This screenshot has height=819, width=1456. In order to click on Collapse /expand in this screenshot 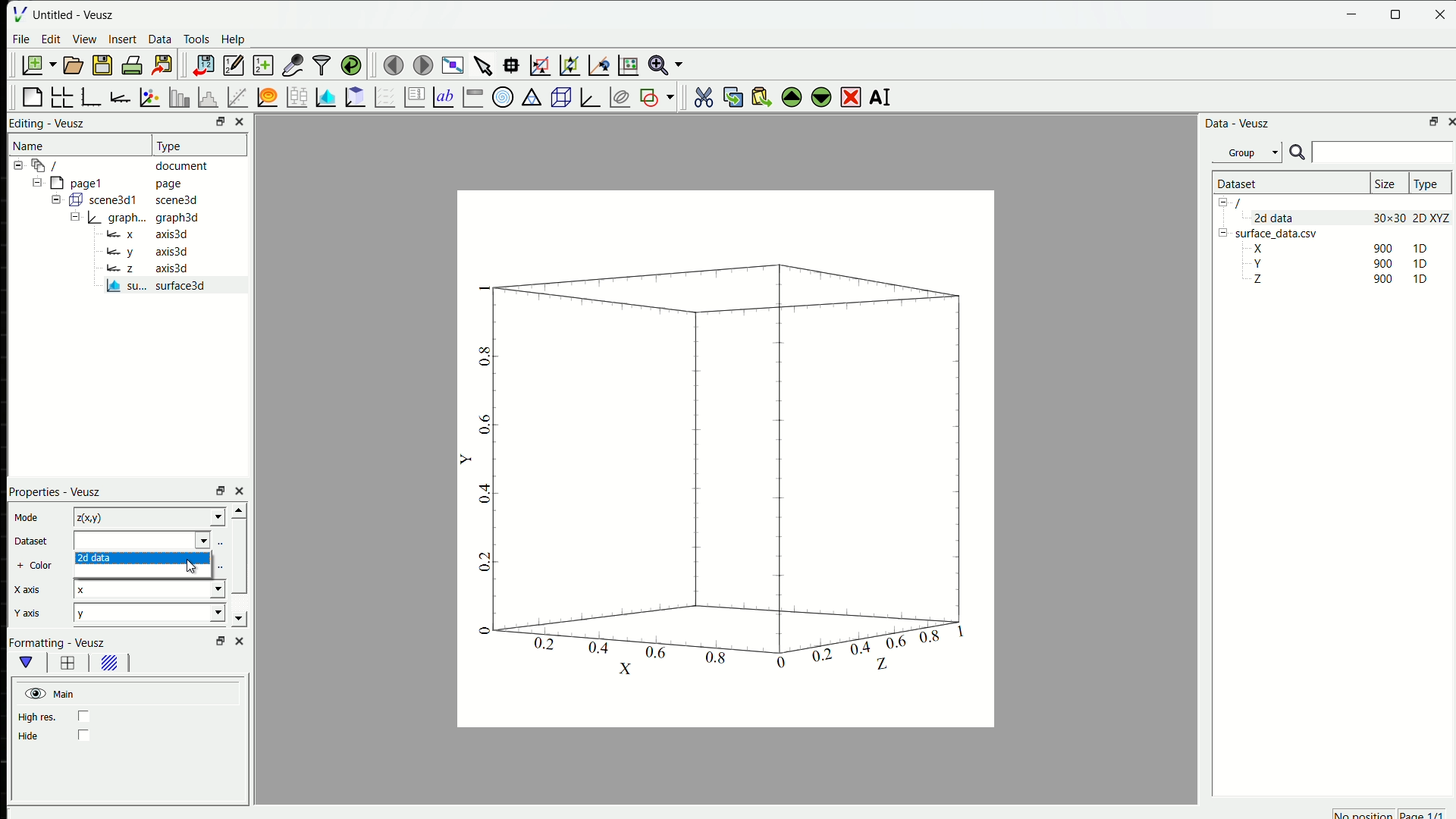, I will do `click(1222, 203)`.